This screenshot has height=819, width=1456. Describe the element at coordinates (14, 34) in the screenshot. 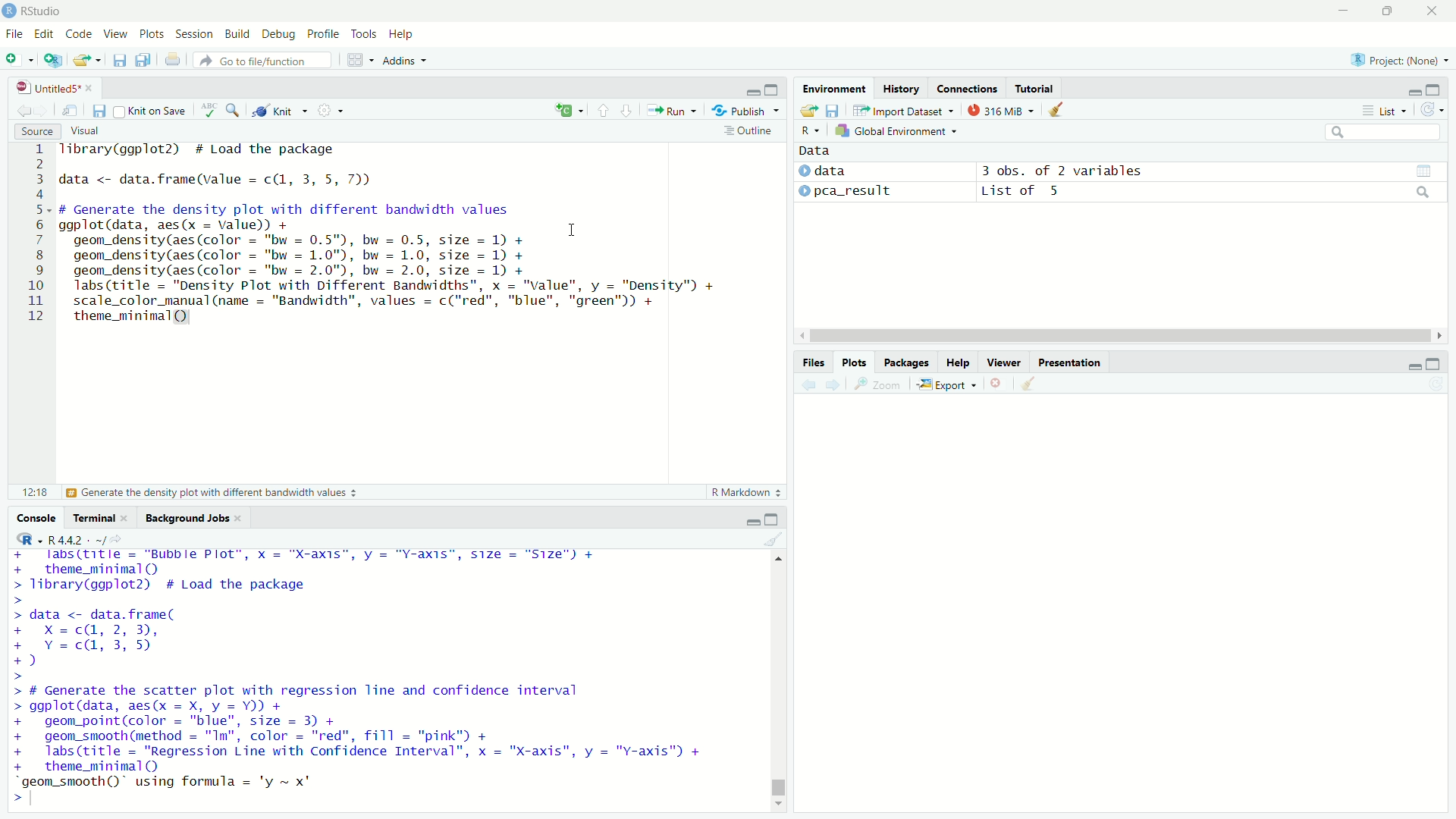

I see `File` at that location.